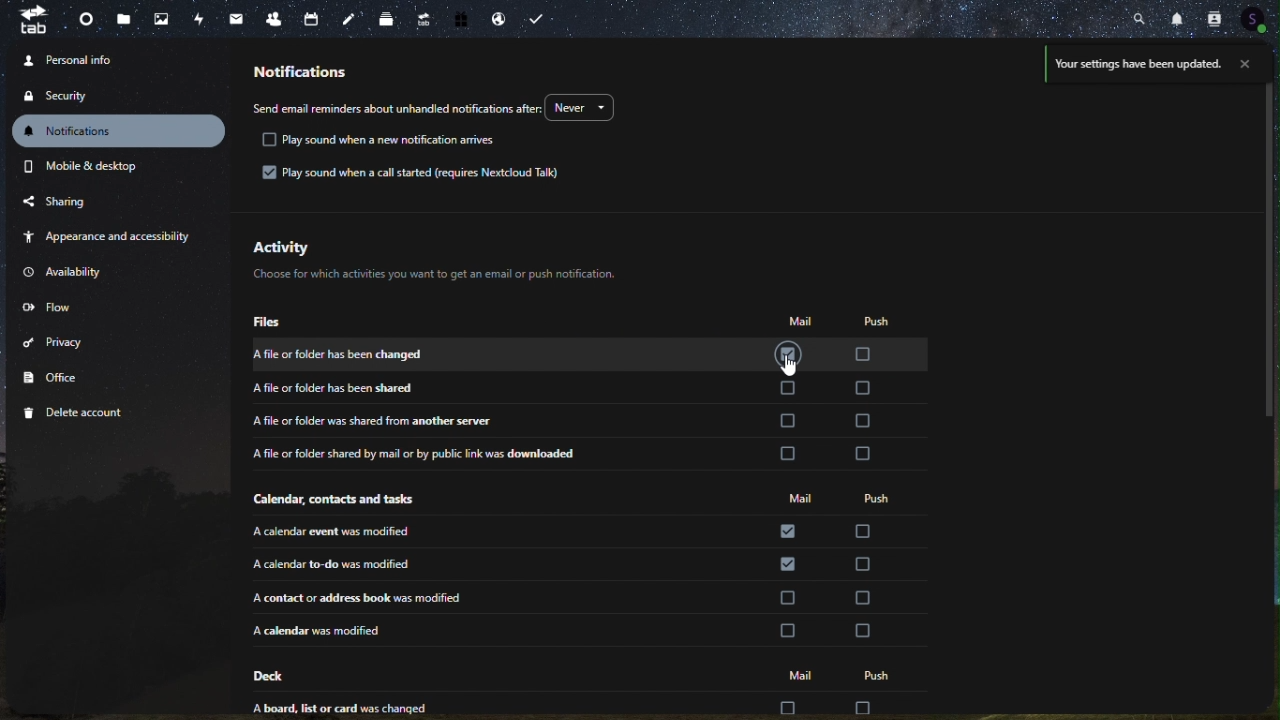 Image resolution: width=1280 pixels, height=720 pixels. Describe the element at coordinates (791, 455) in the screenshot. I see `check box` at that location.